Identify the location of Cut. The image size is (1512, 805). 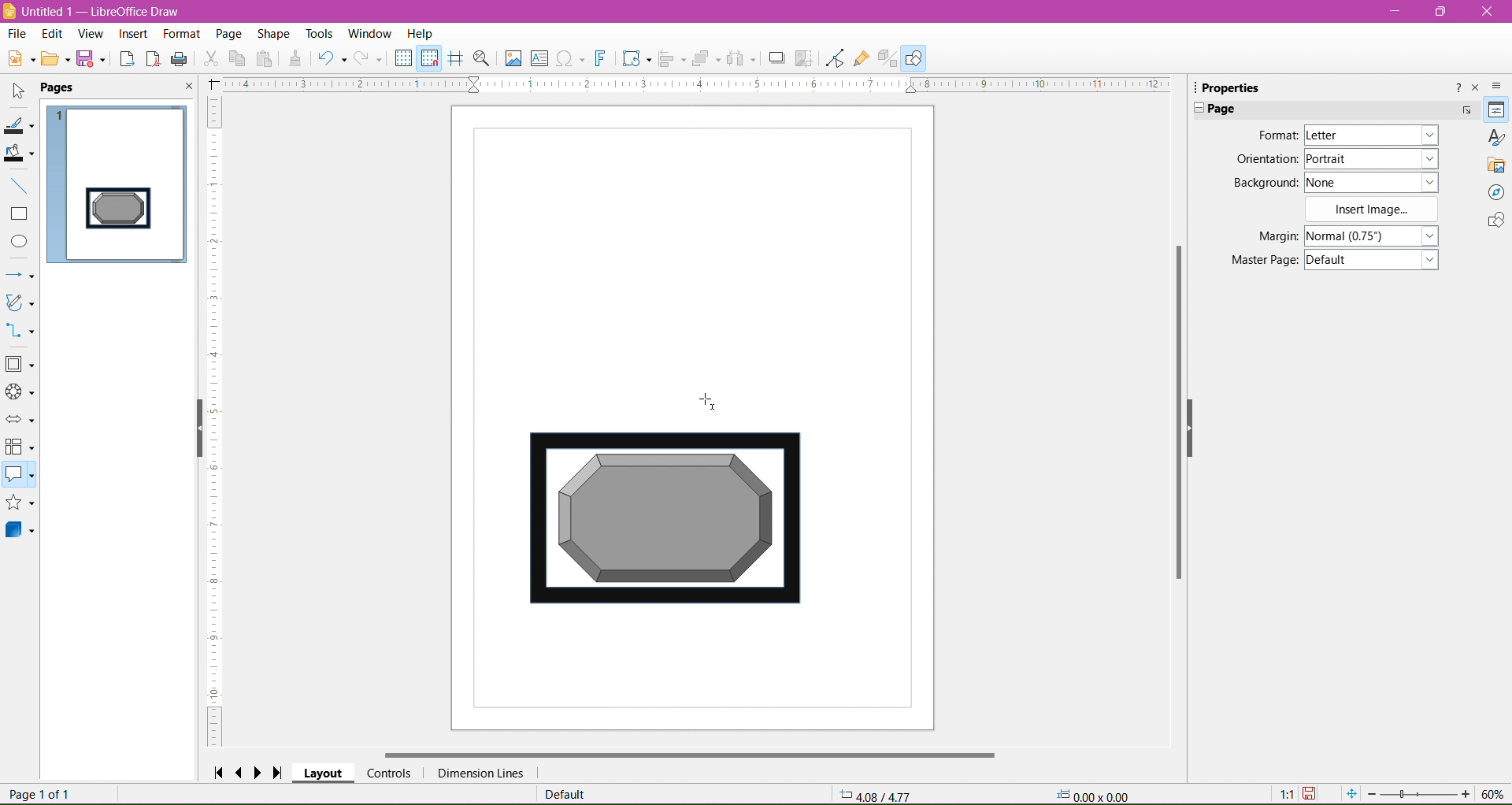
(210, 60).